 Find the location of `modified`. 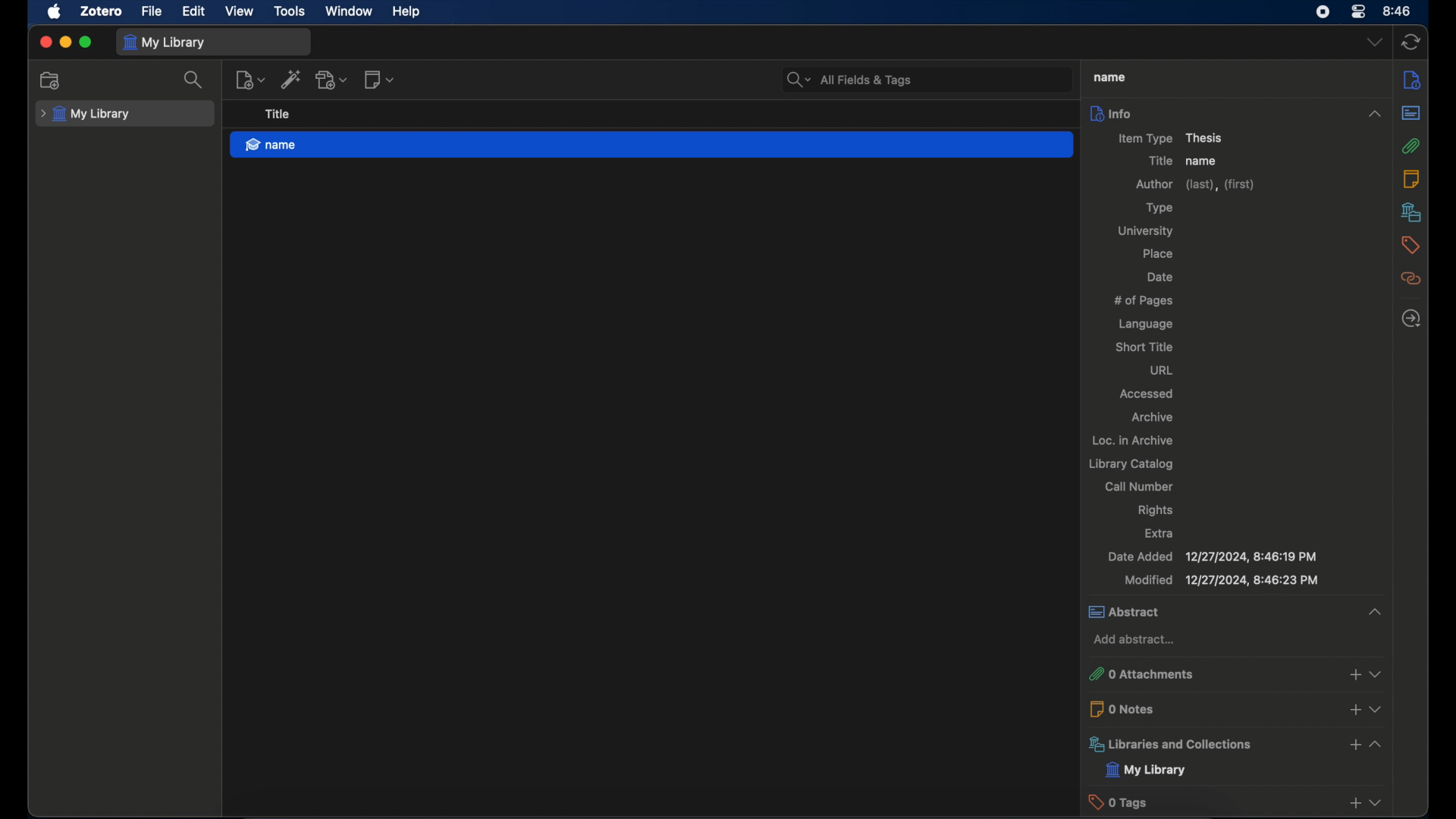

modified is located at coordinates (1220, 581).